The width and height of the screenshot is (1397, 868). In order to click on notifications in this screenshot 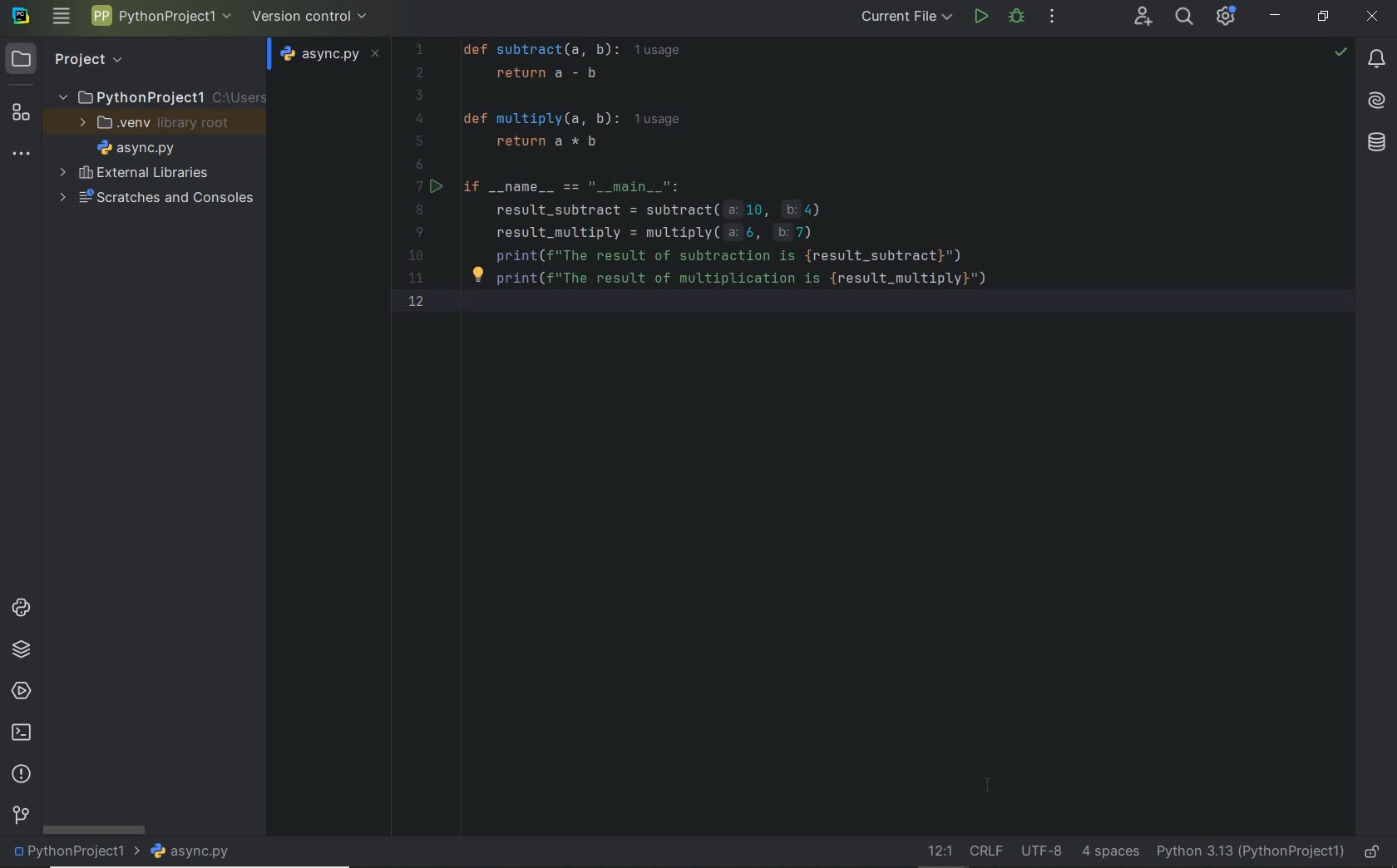, I will do `click(1377, 60)`.